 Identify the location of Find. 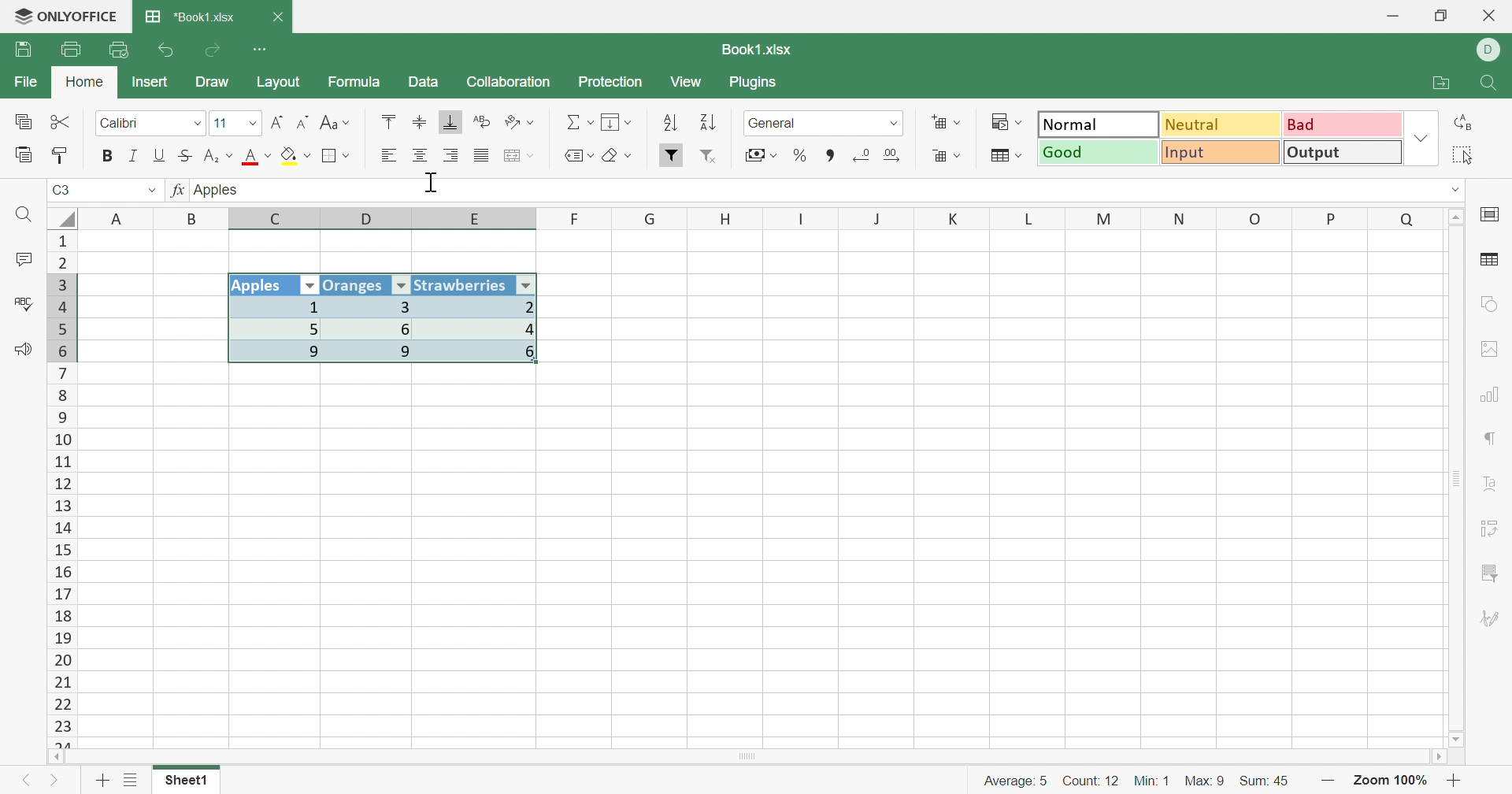
(27, 216).